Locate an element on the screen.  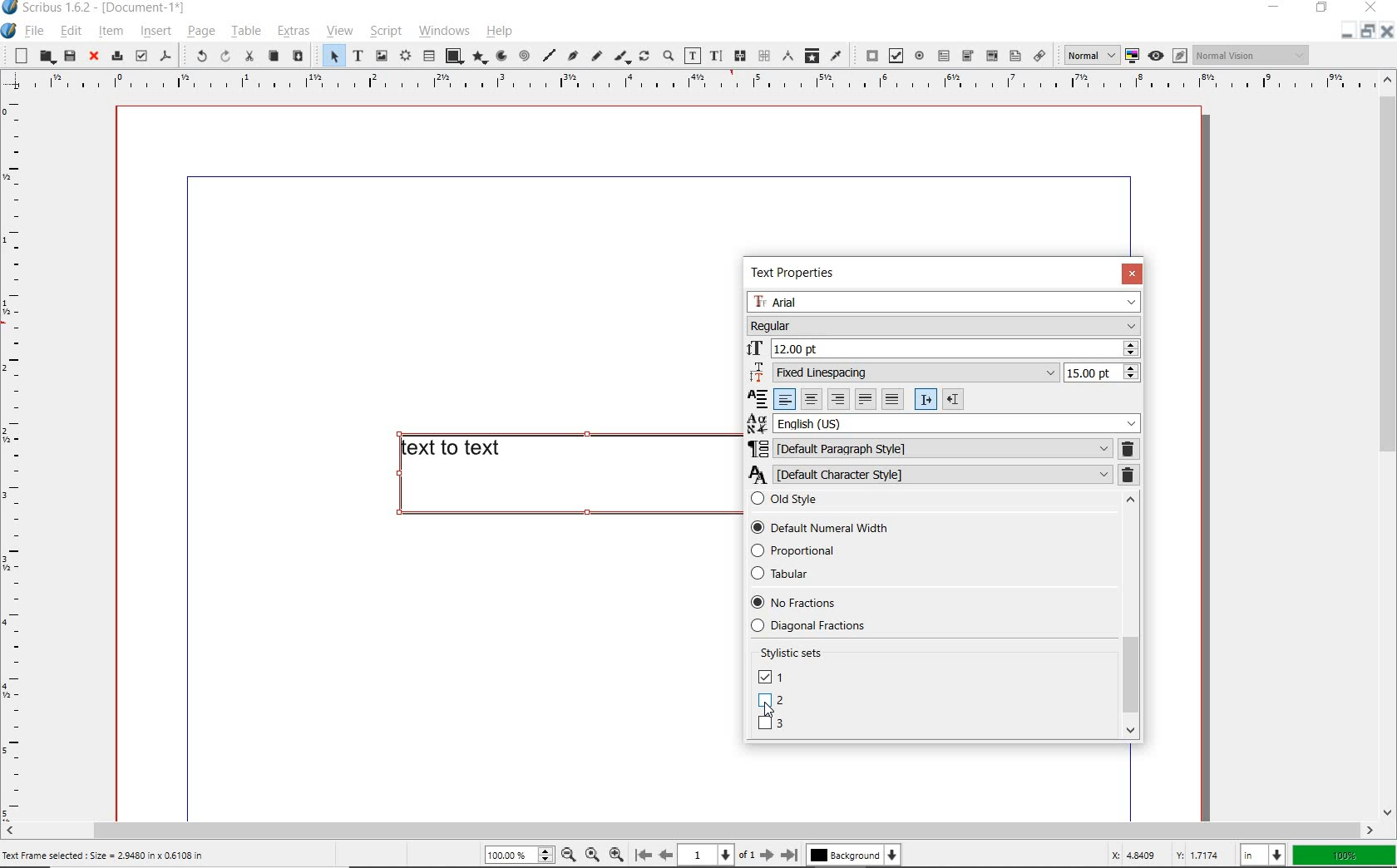
pdf radio button is located at coordinates (920, 57).